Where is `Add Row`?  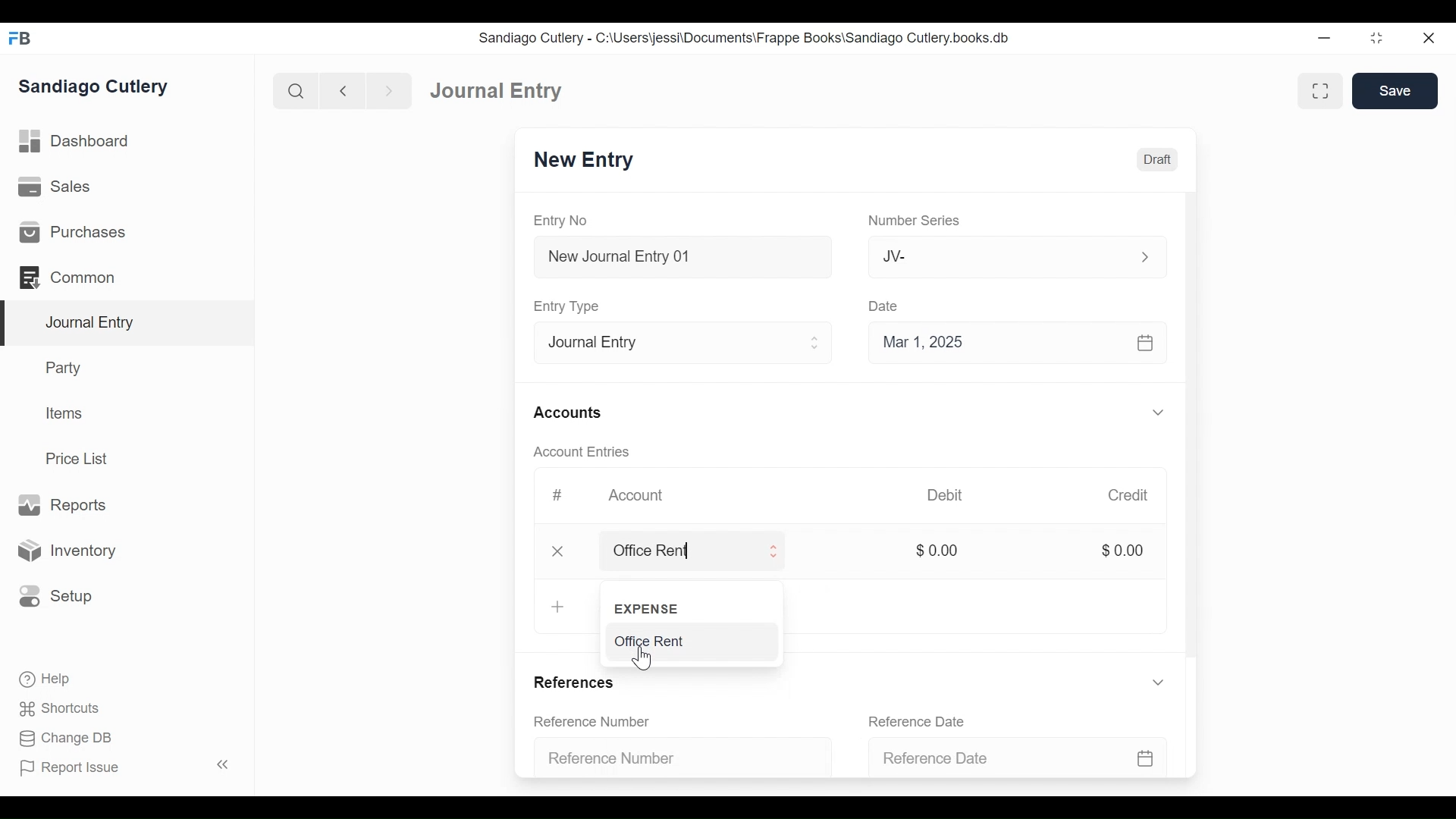 Add Row is located at coordinates (557, 608).